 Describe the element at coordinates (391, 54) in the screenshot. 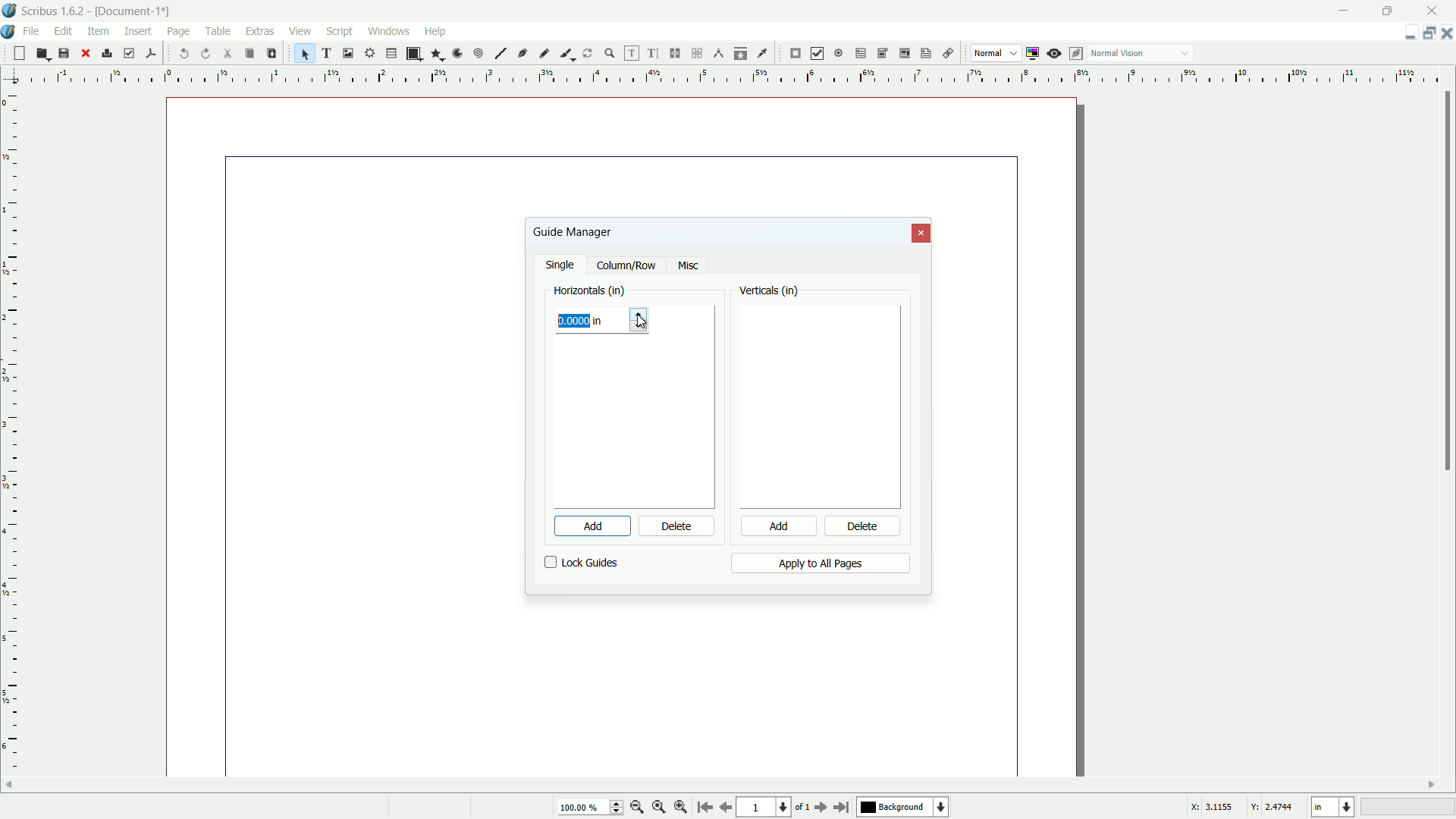

I see `table` at that location.